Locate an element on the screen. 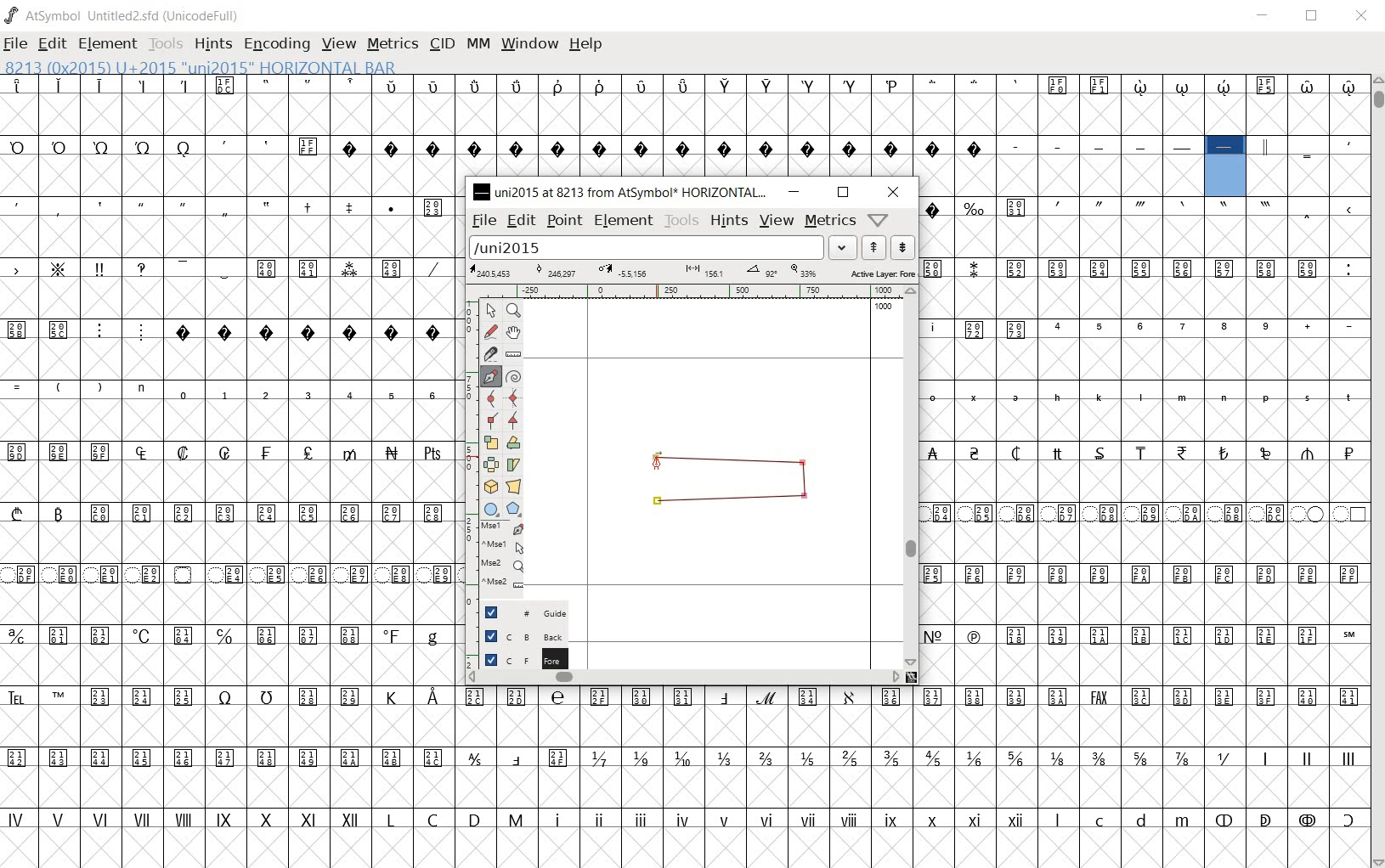 Image resolution: width=1385 pixels, height=868 pixels. EDIT is located at coordinates (52, 43).